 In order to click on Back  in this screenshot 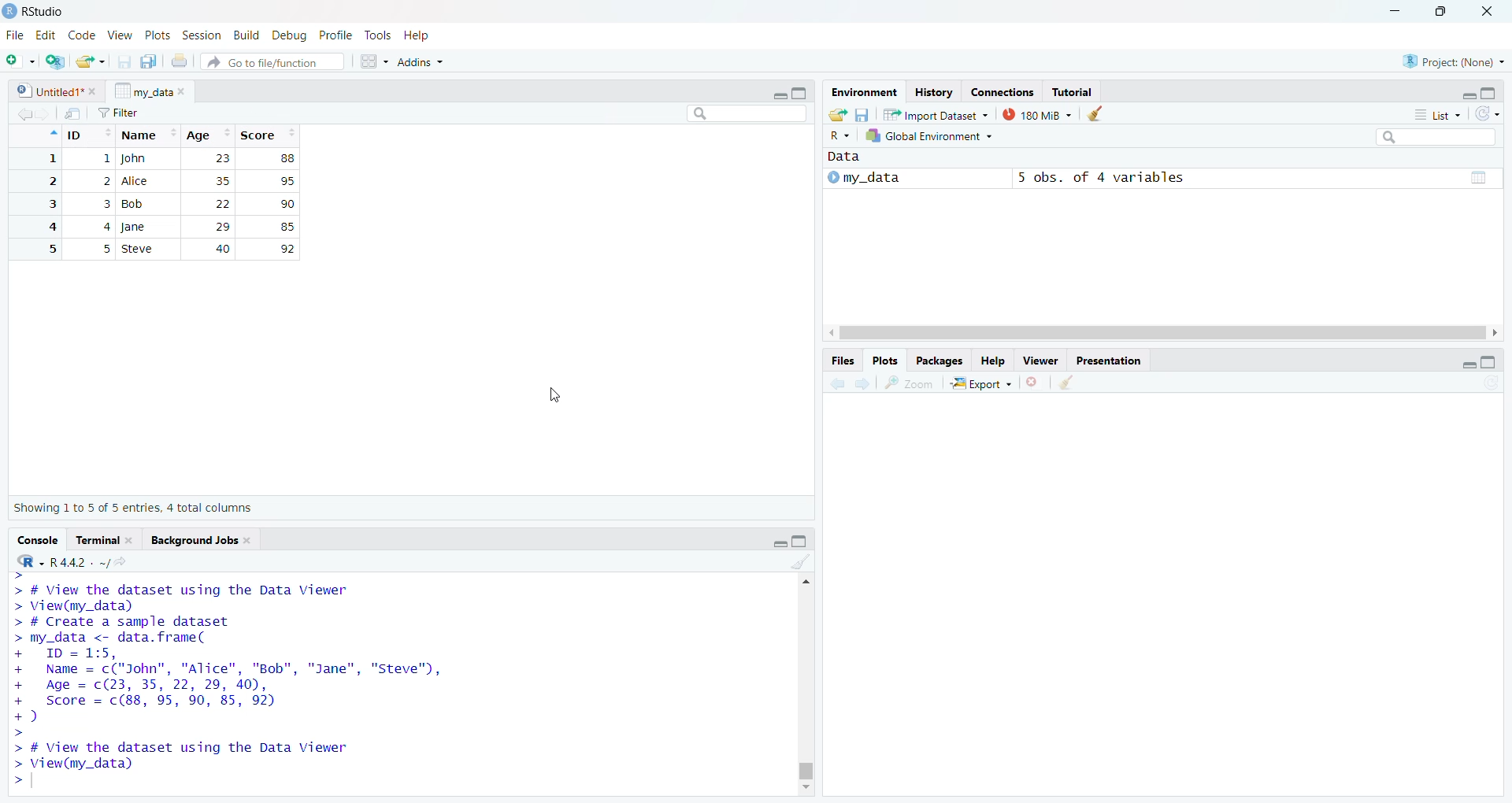, I will do `click(835, 383)`.